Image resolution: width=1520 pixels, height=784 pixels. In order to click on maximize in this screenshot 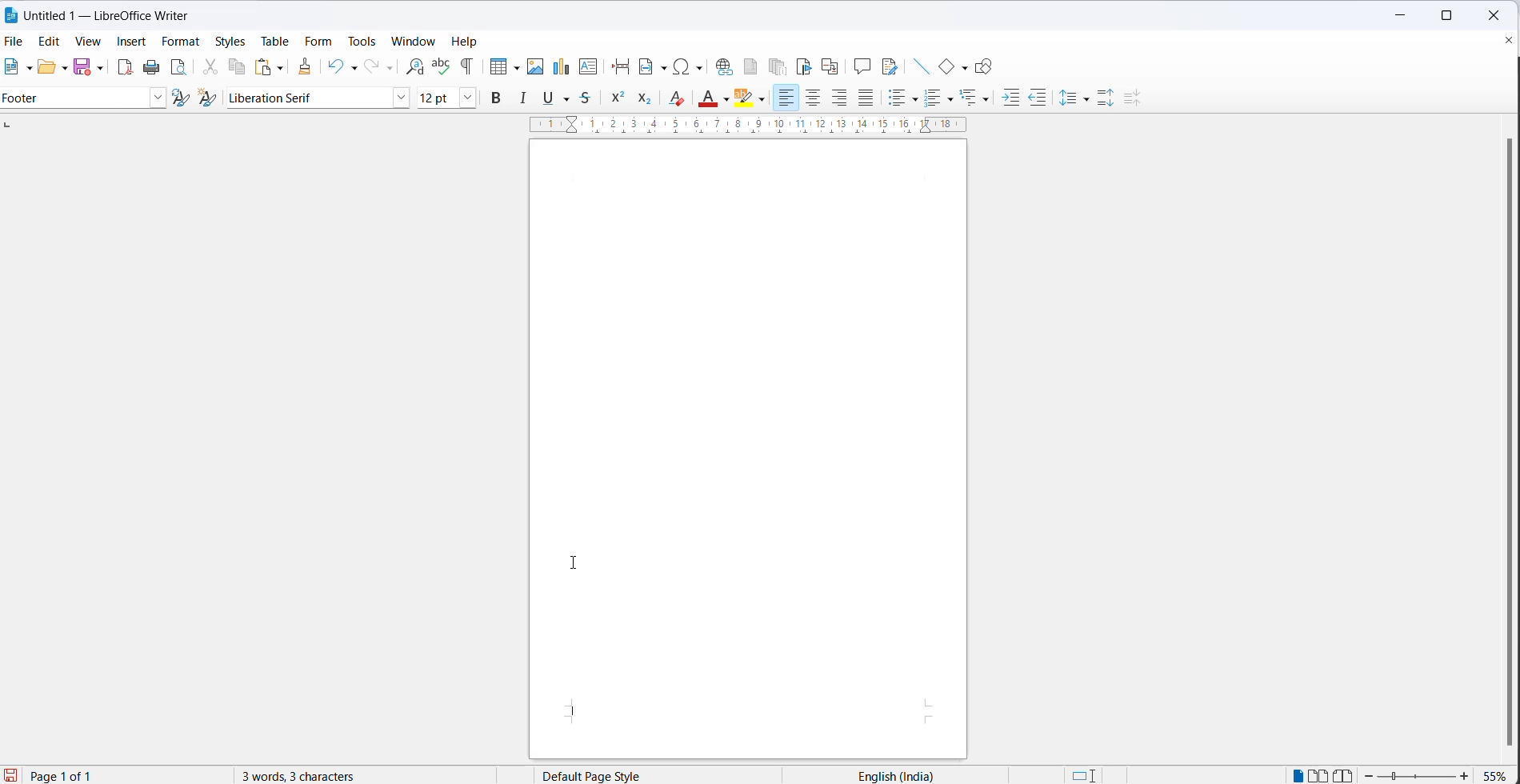, I will do `click(1446, 18)`.